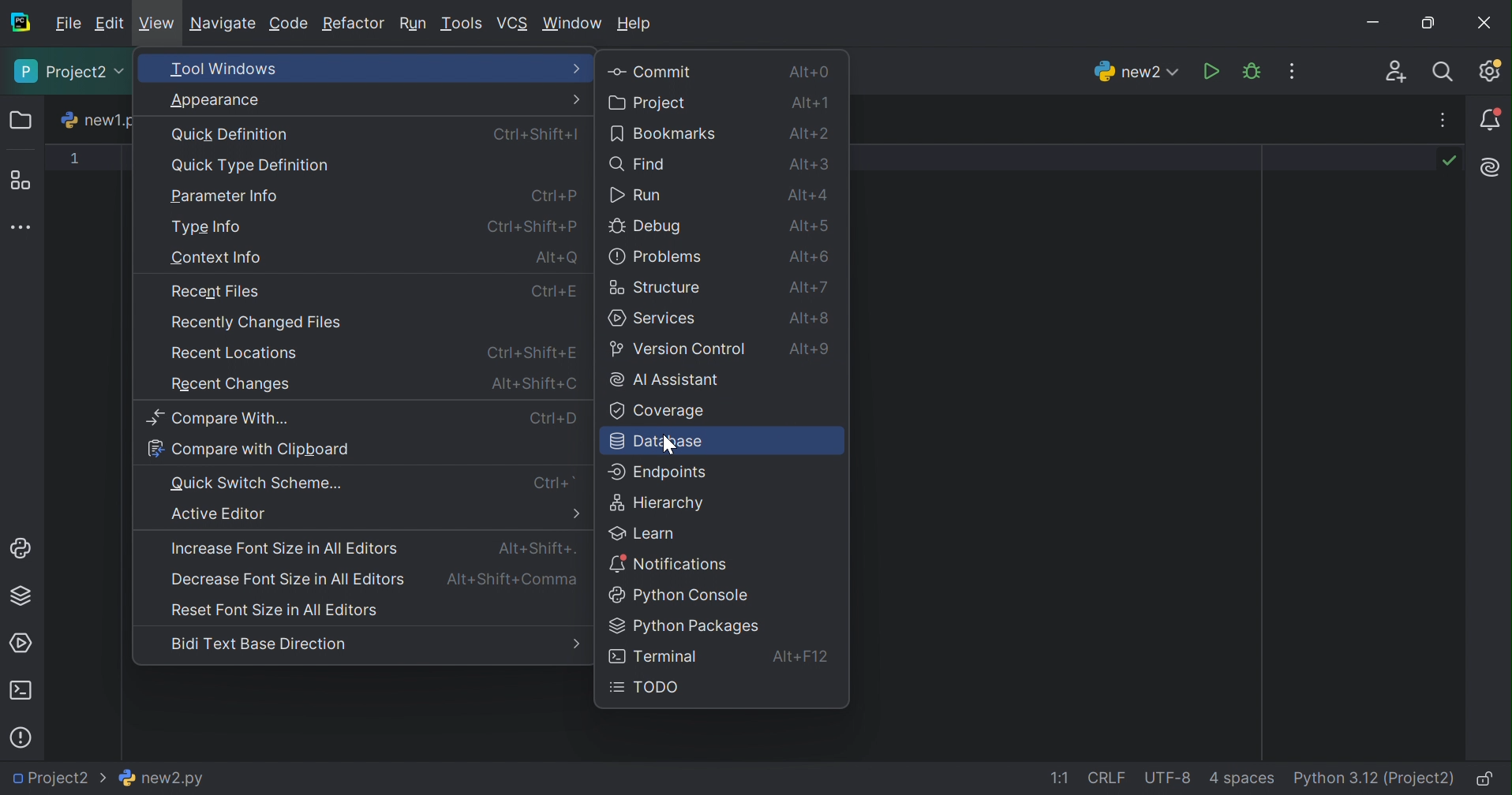  I want to click on Parameter Info, so click(223, 196).